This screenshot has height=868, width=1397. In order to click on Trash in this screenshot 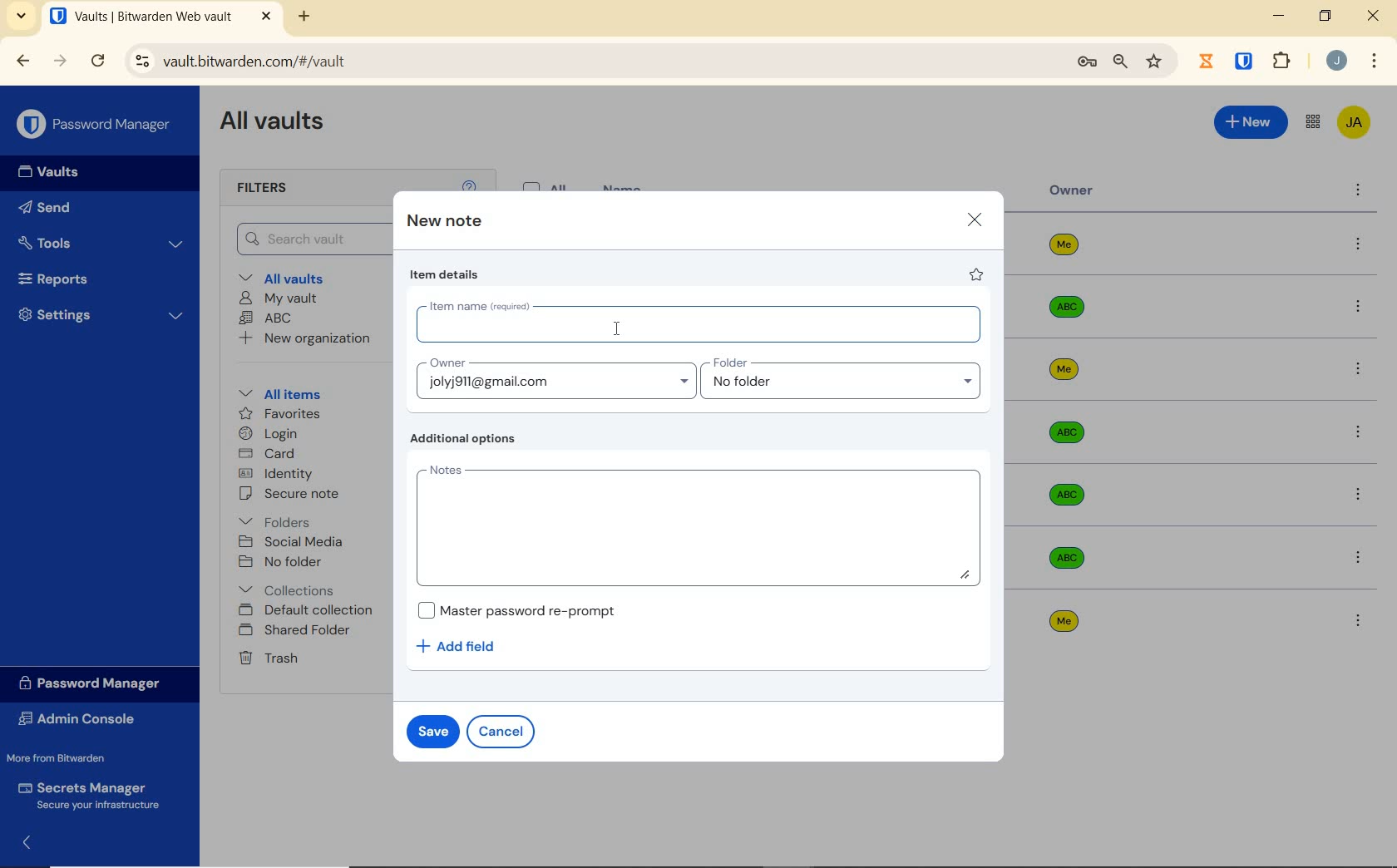, I will do `click(271, 659)`.